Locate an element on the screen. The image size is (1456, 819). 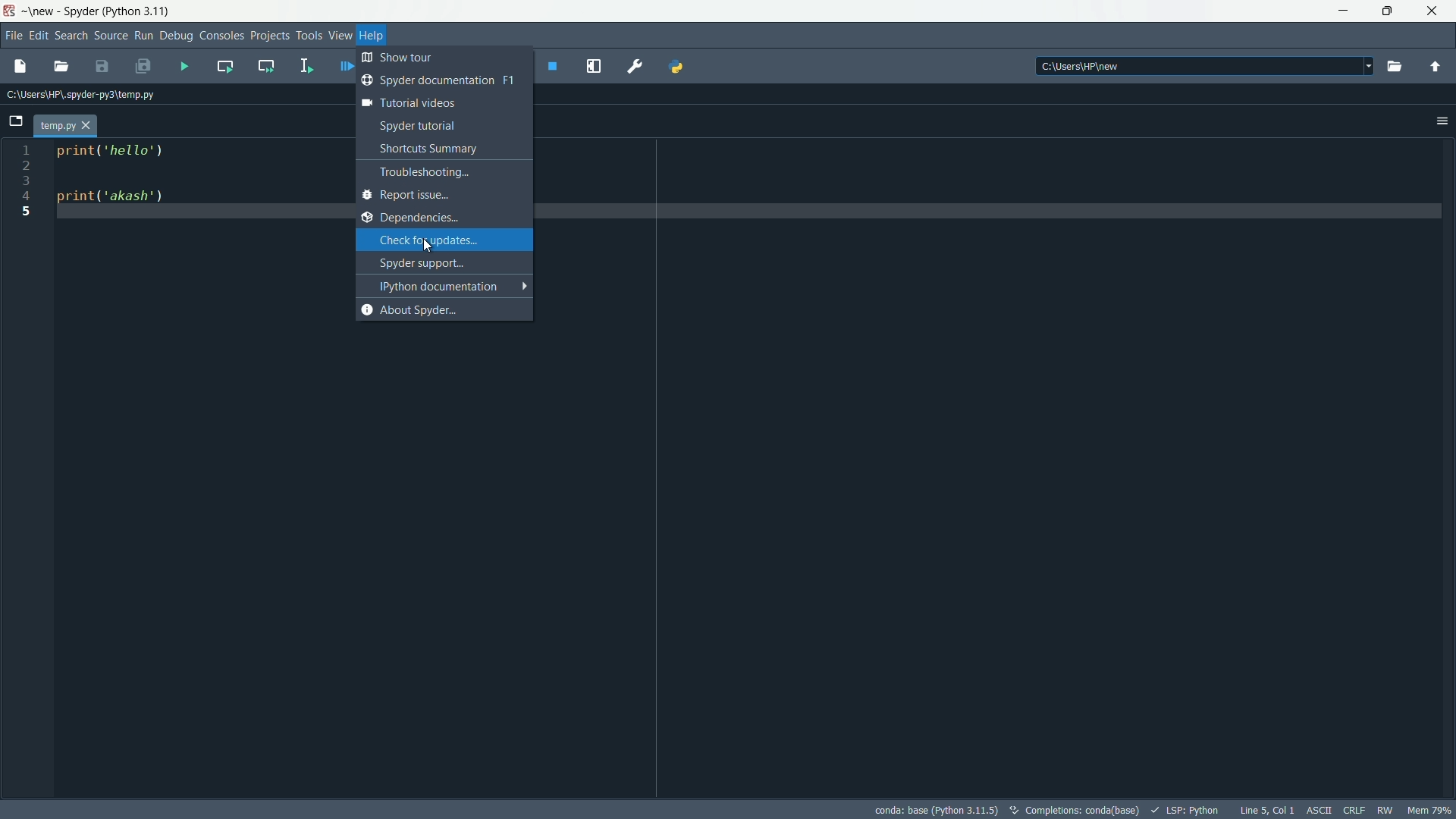
source menu is located at coordinates (111, 35).